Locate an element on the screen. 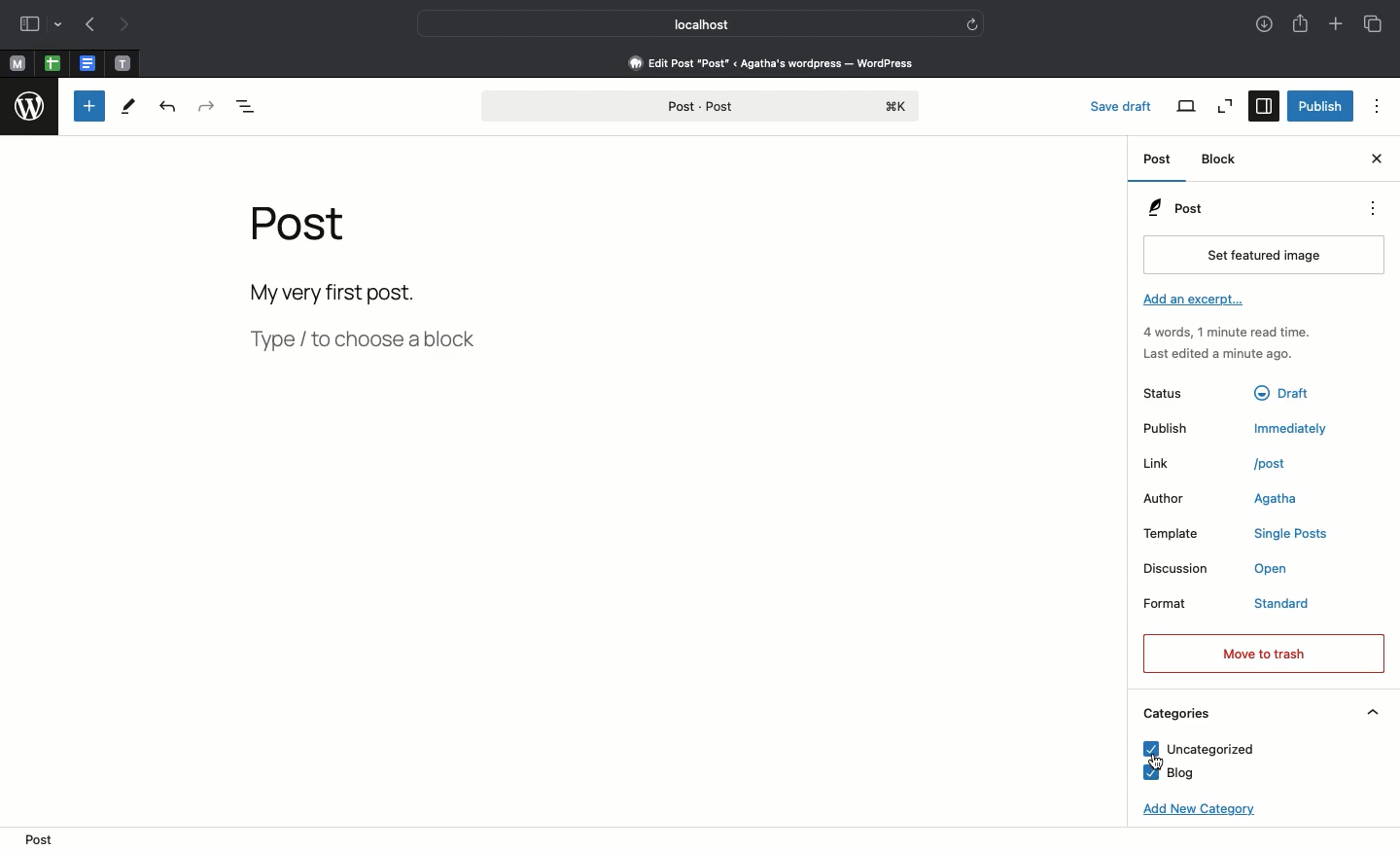 This screenshot has width=1400, height=850. Close is located at coordinates (1375, 160).